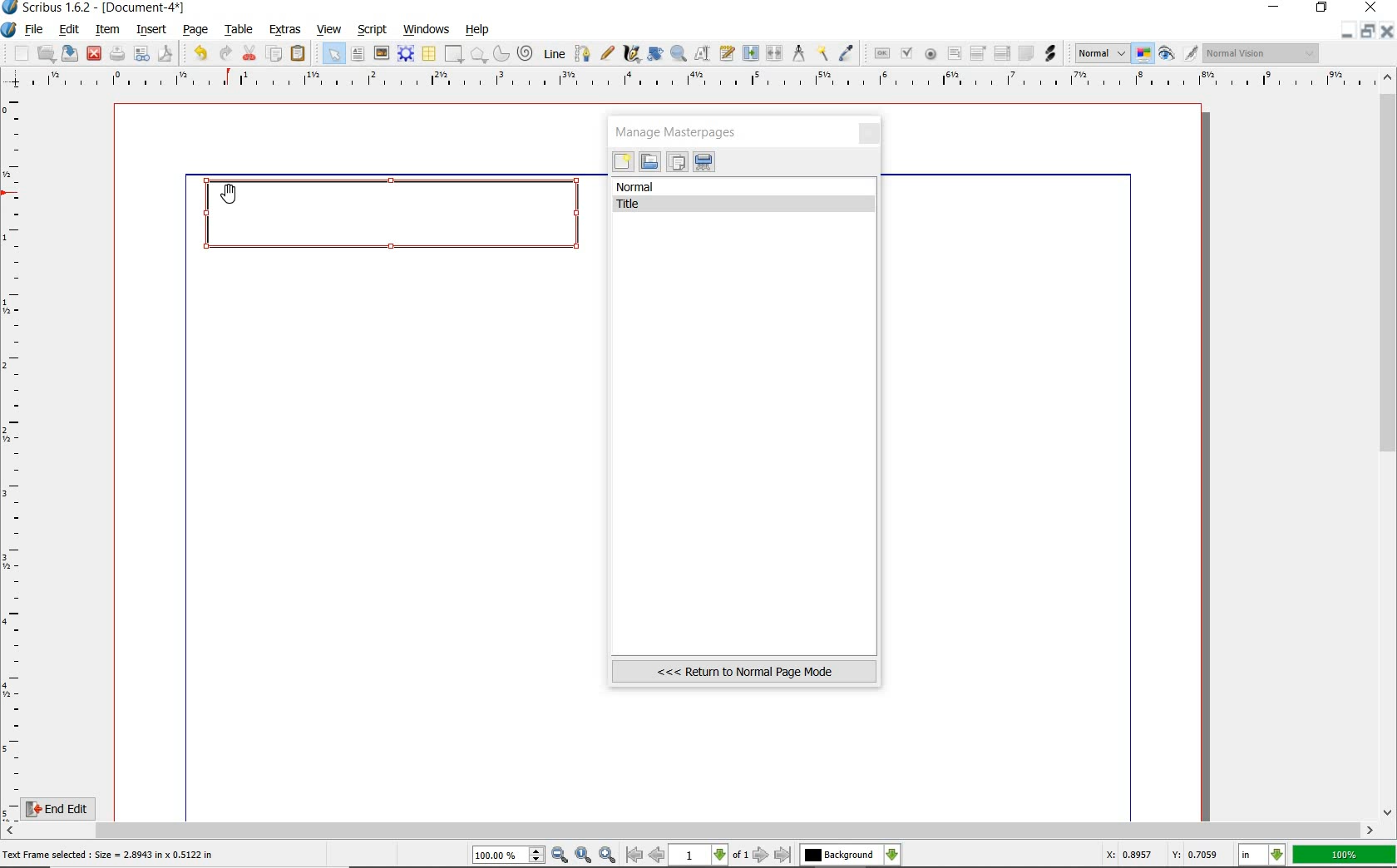 The image size is (1397, 868). I want to click on Normal Vision, so click(1262, 55).